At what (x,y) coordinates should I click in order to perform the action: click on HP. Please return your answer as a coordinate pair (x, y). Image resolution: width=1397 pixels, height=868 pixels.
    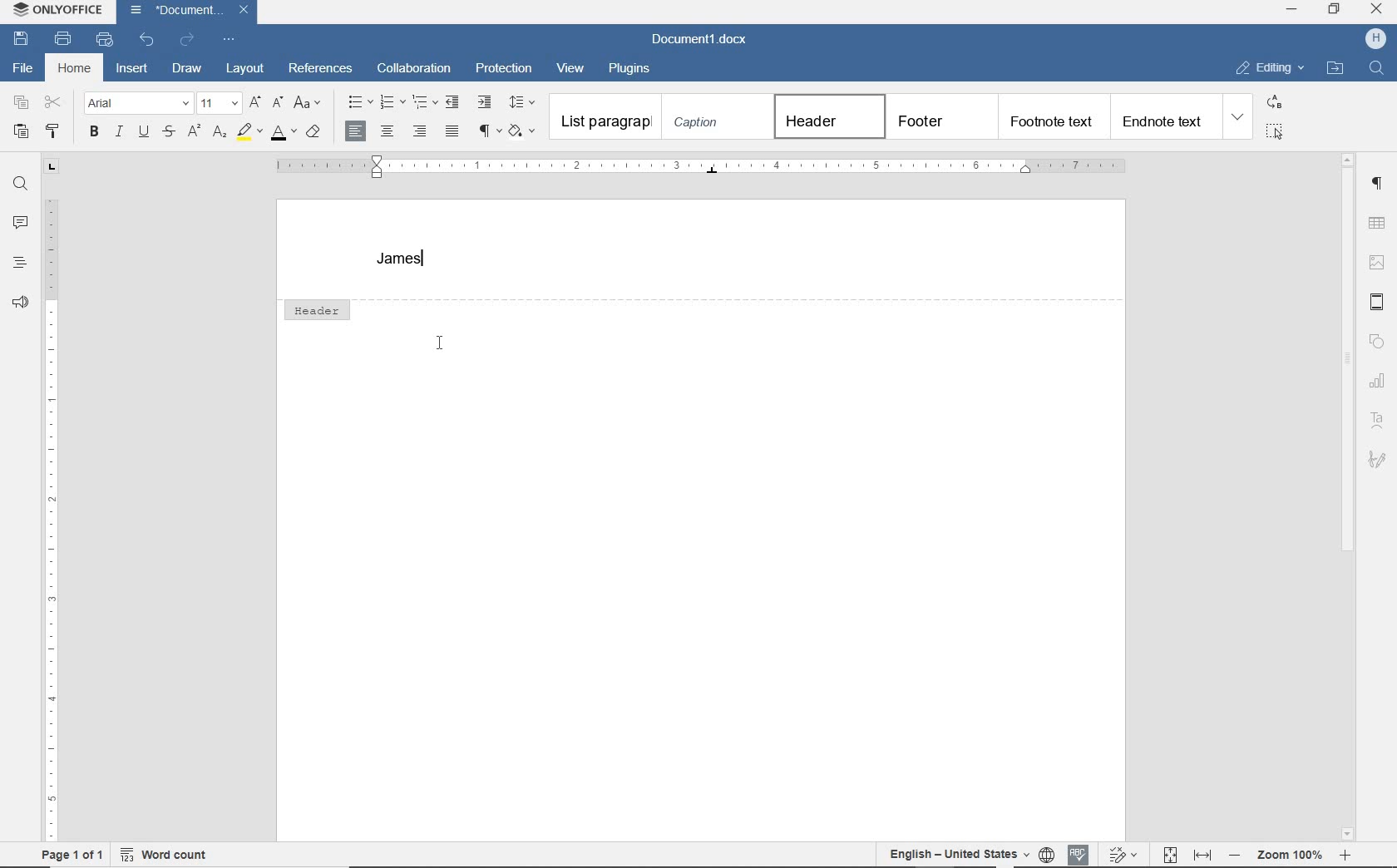
    Looking at the image, I should click on (1371, 38).